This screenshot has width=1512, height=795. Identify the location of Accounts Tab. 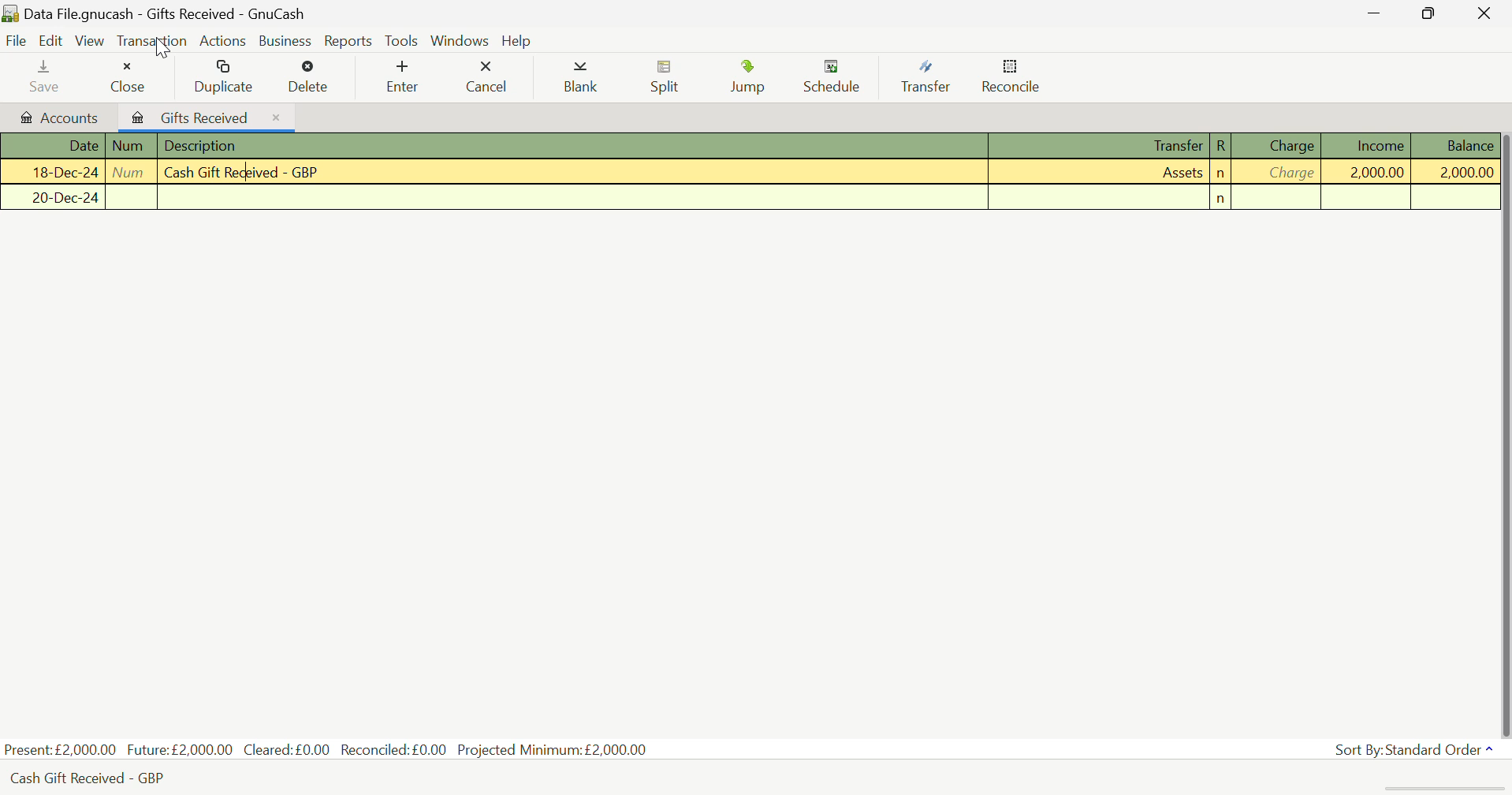
(56, 115).